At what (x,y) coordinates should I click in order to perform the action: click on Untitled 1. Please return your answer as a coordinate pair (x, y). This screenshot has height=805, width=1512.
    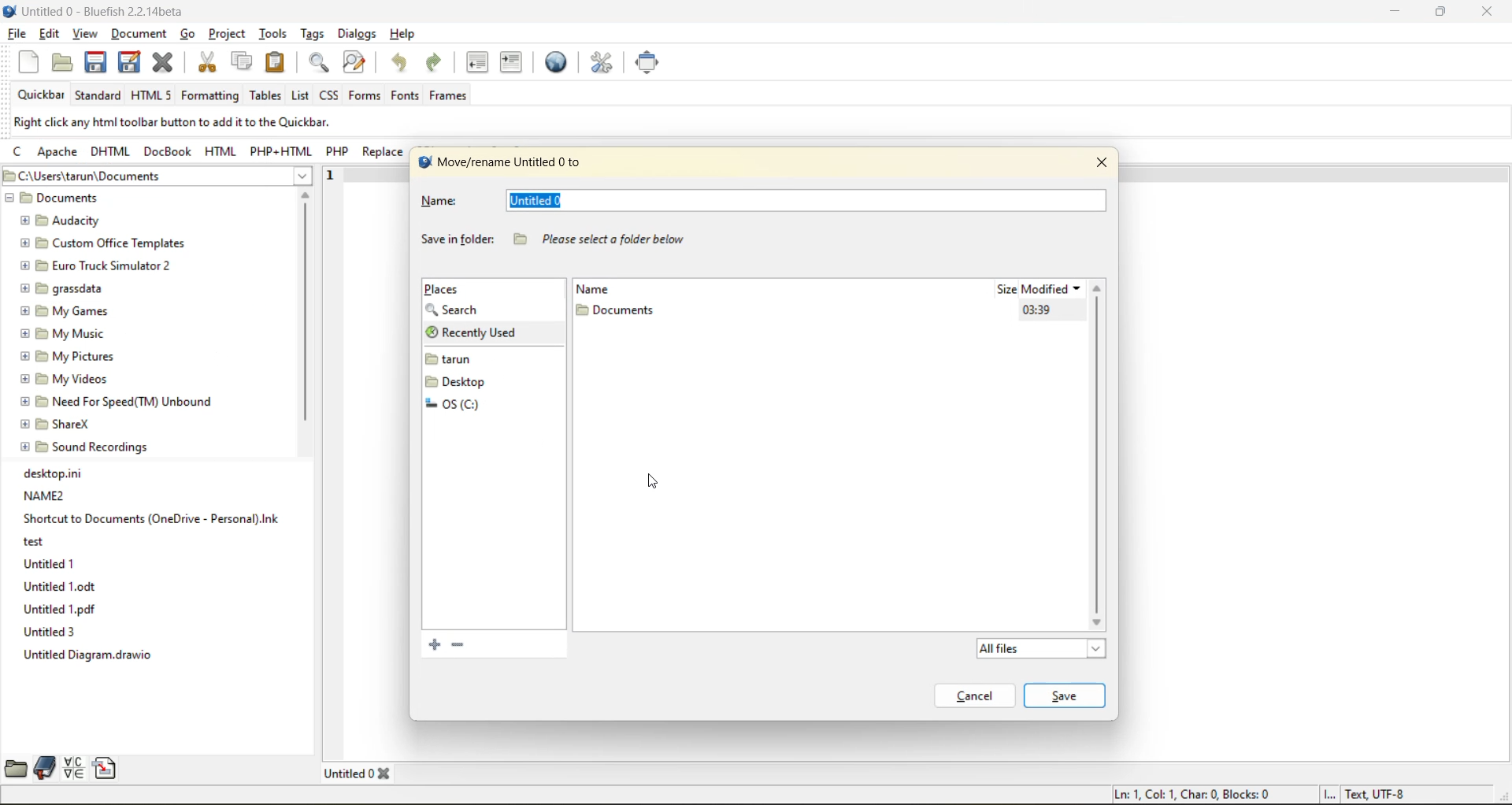
    Looking at the image, I should click on (51, 563).